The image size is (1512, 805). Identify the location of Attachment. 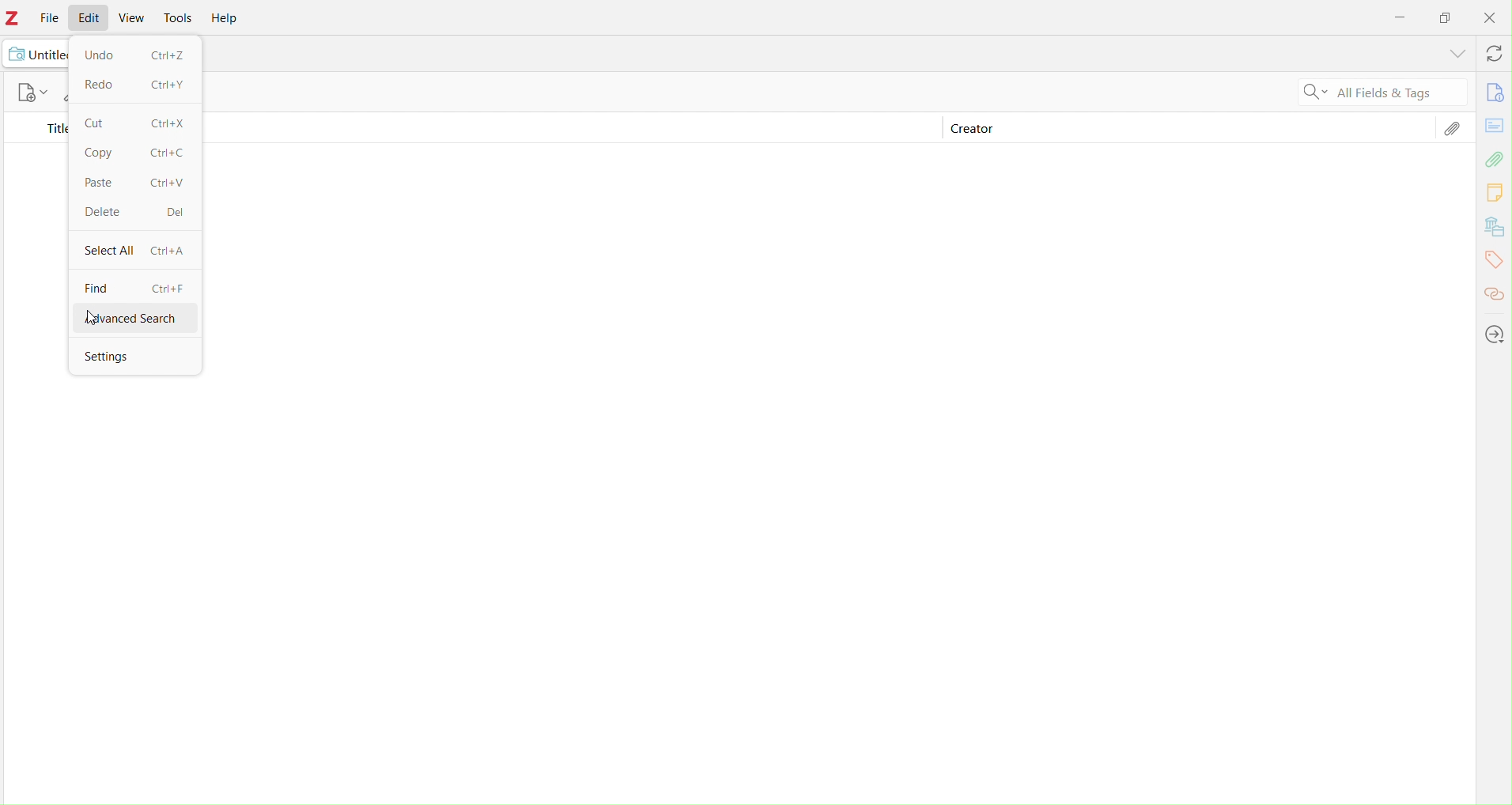
(1452, 132).